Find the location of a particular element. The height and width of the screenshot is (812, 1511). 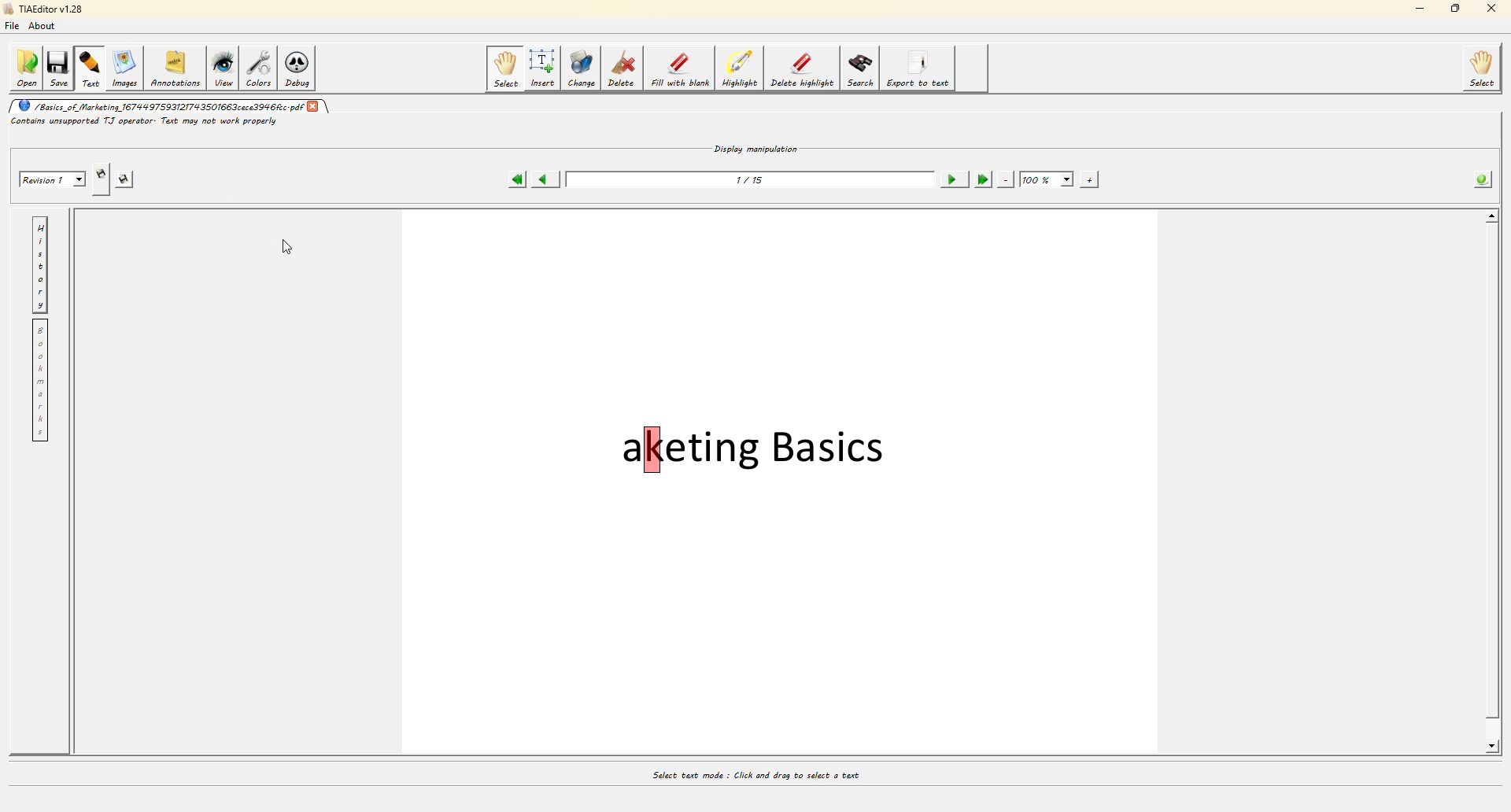

zoom out is located at coordinates (1007, 177).